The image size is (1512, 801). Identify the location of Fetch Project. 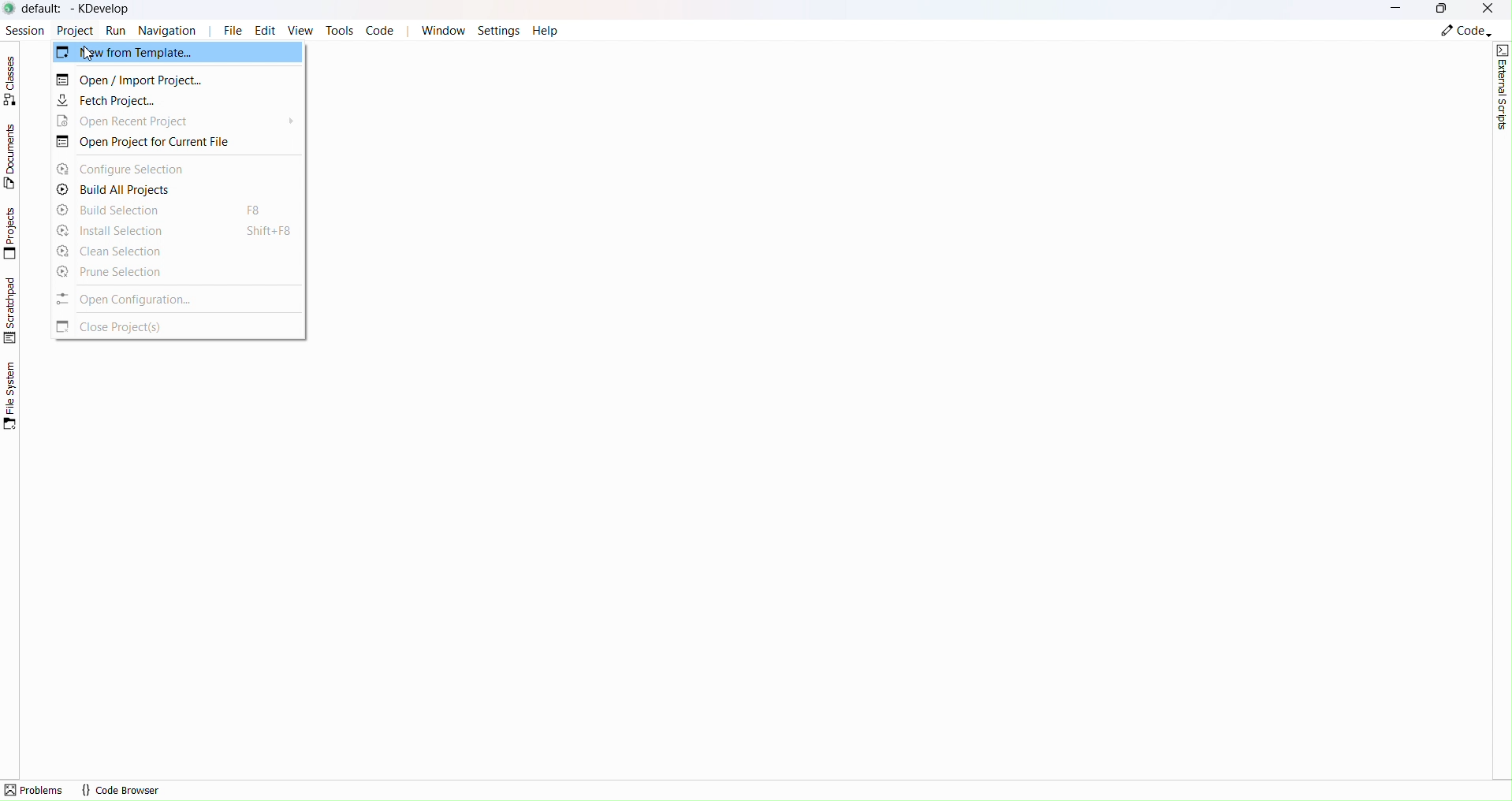
(136, 102).